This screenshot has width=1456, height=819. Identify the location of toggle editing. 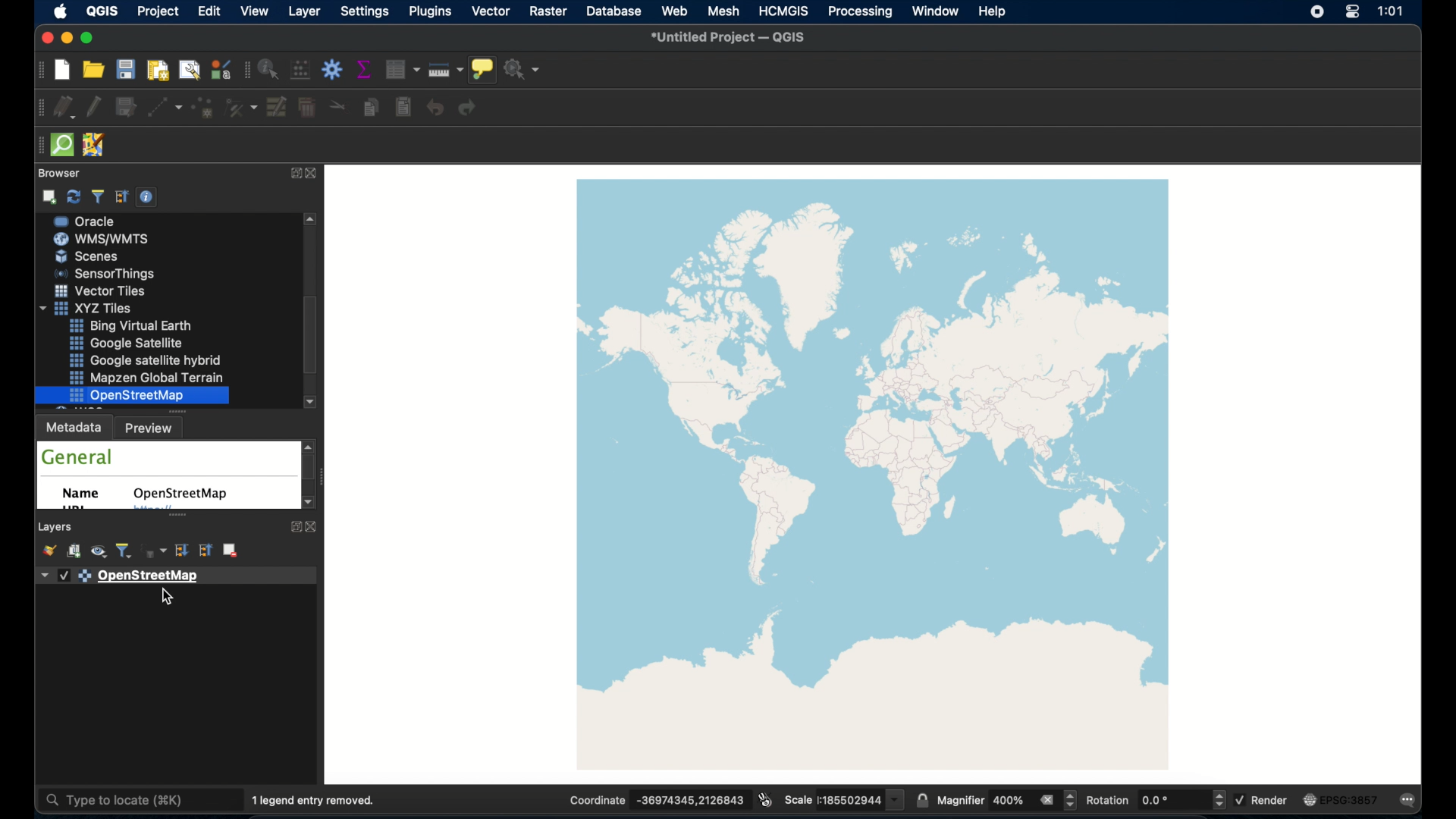
(96, 108).